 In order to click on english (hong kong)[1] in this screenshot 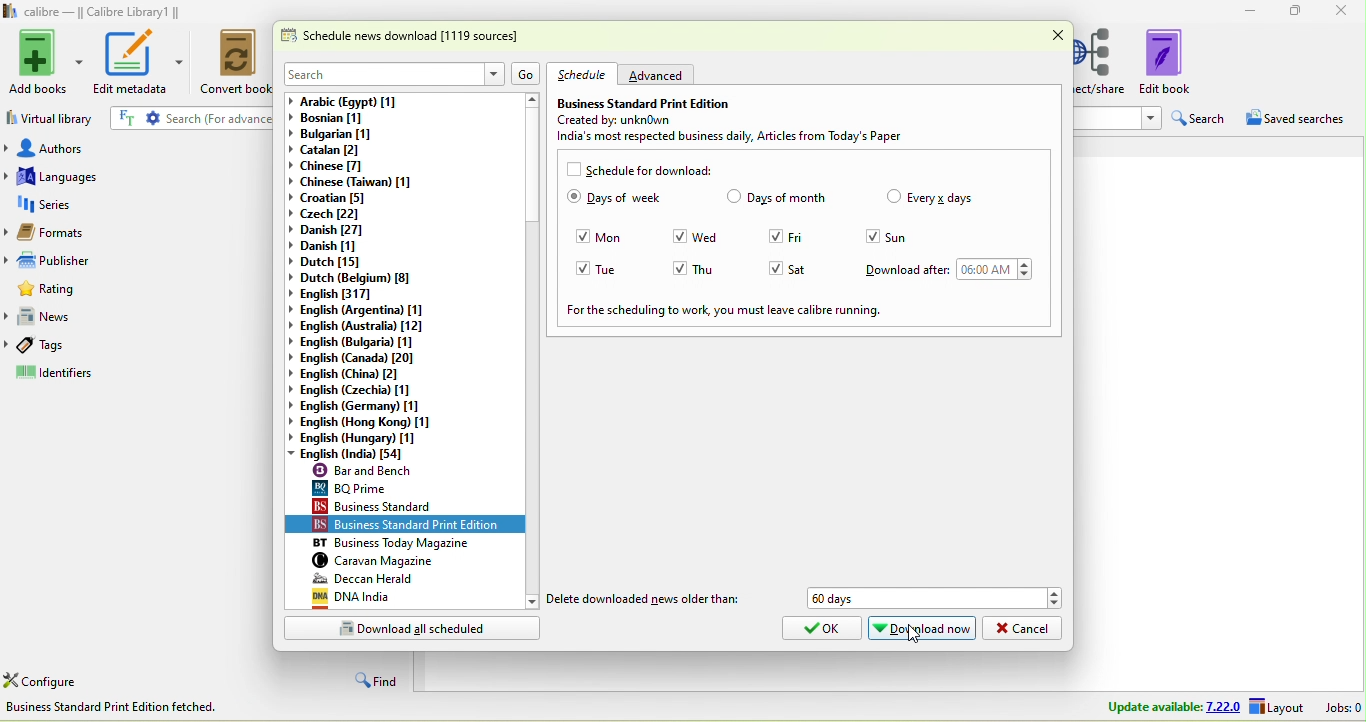, I will do `click(367, 422)`.